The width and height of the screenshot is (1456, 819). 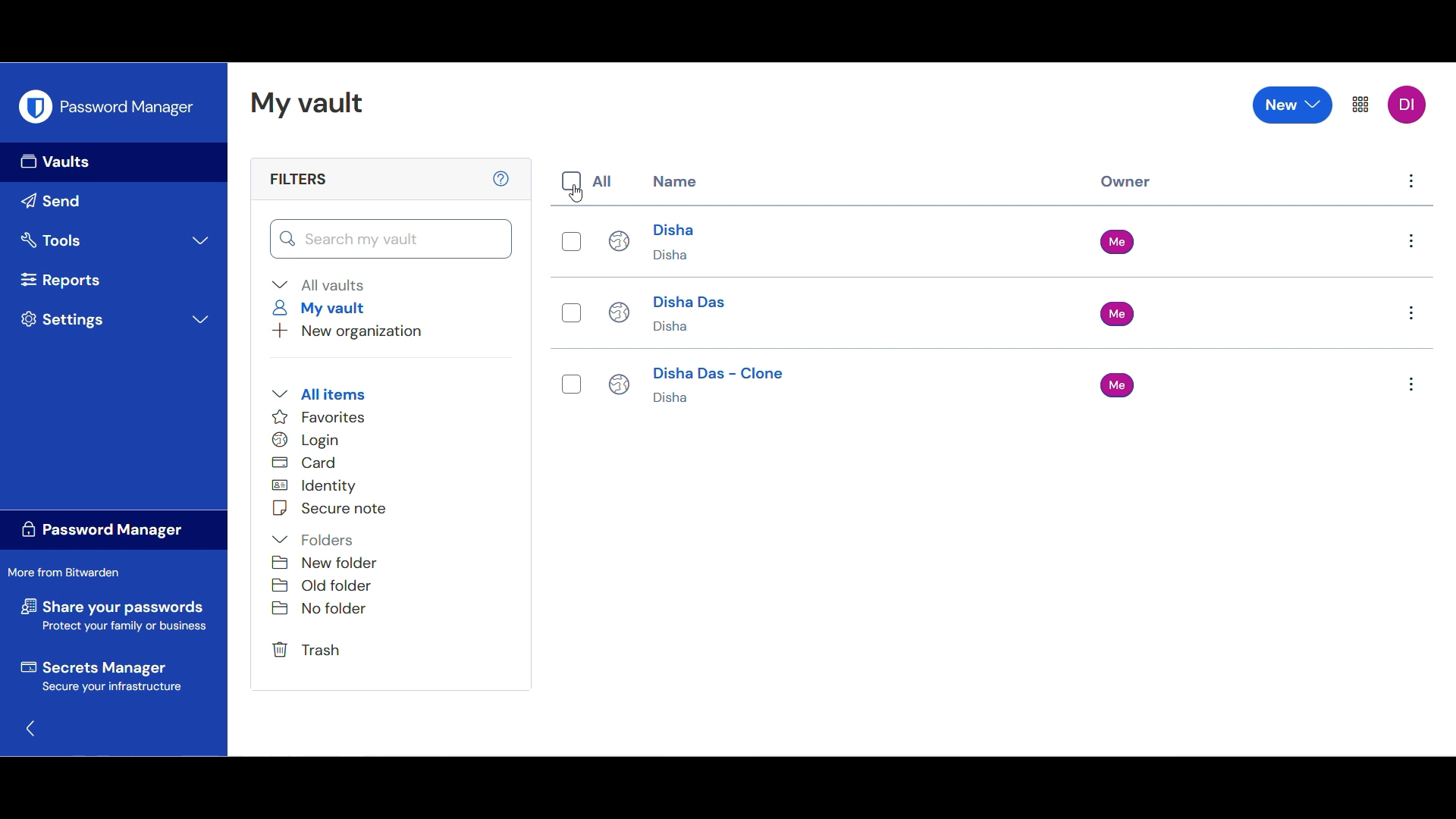 What do you see at coordinates (392, 239) in the screenshot?
I see `Search my vault` at bounding box center [392, 239].